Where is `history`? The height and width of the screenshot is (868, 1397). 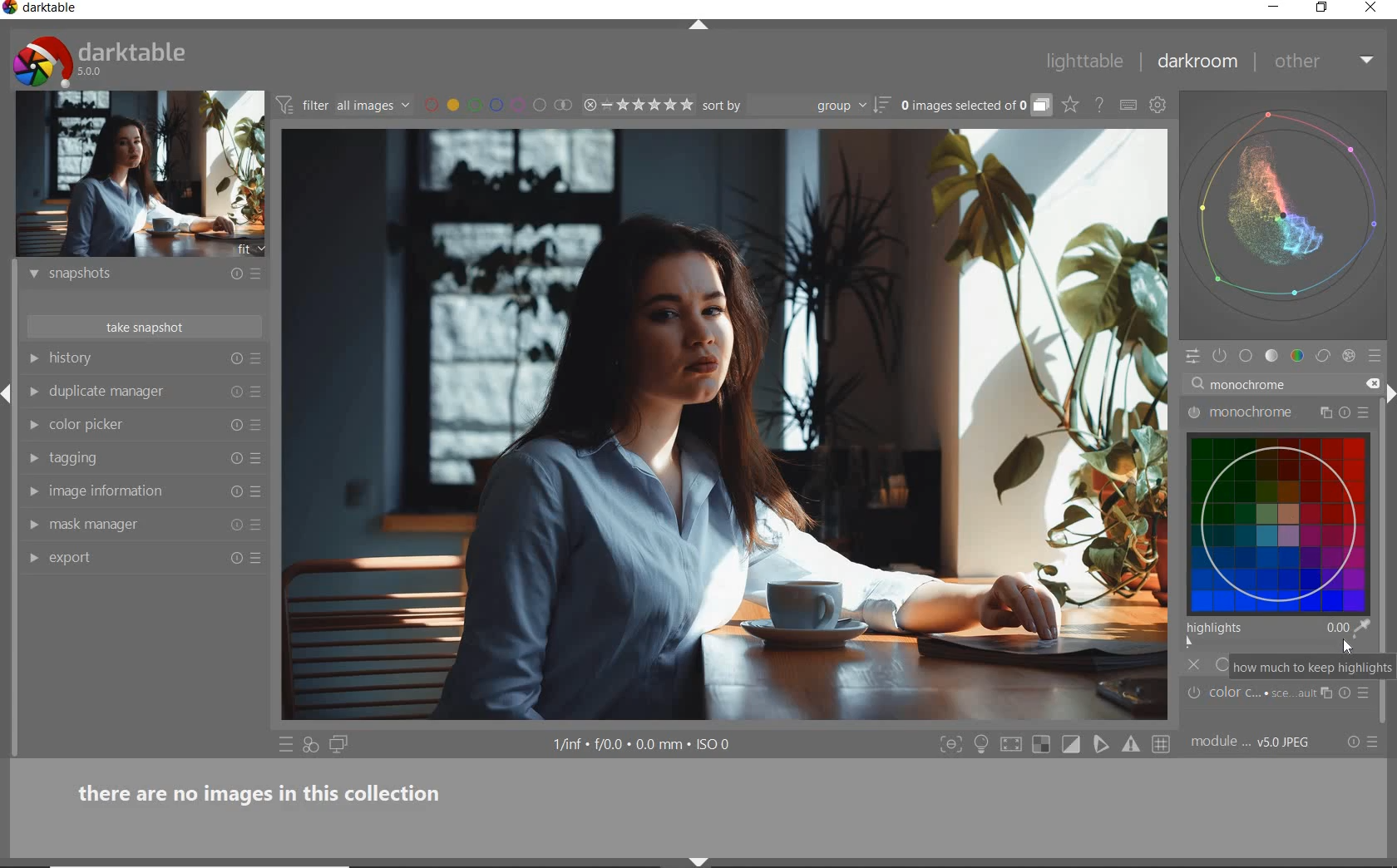 history is located at coordinates (135, 359).